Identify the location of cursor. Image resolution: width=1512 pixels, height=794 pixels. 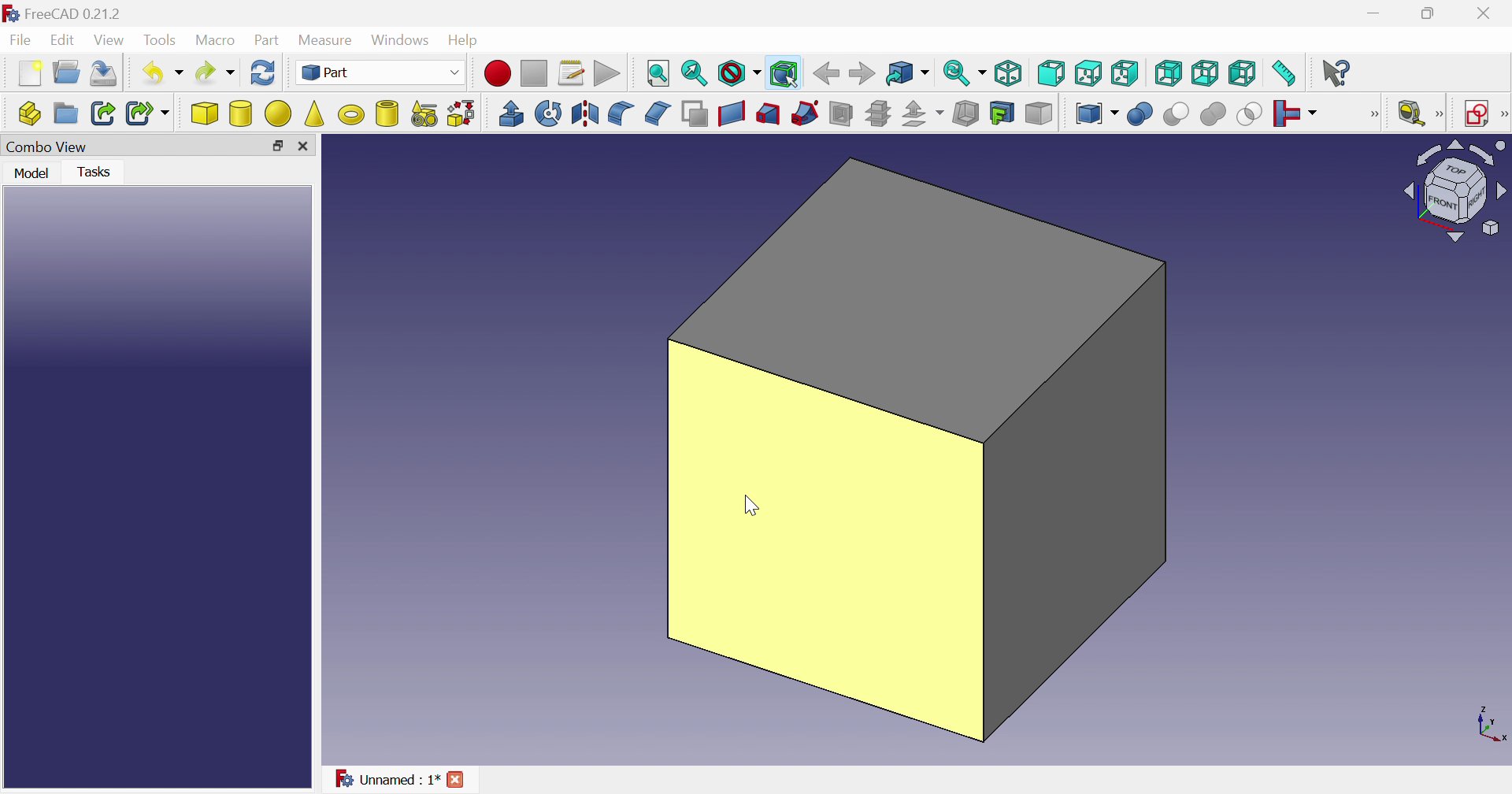
(748, 507).